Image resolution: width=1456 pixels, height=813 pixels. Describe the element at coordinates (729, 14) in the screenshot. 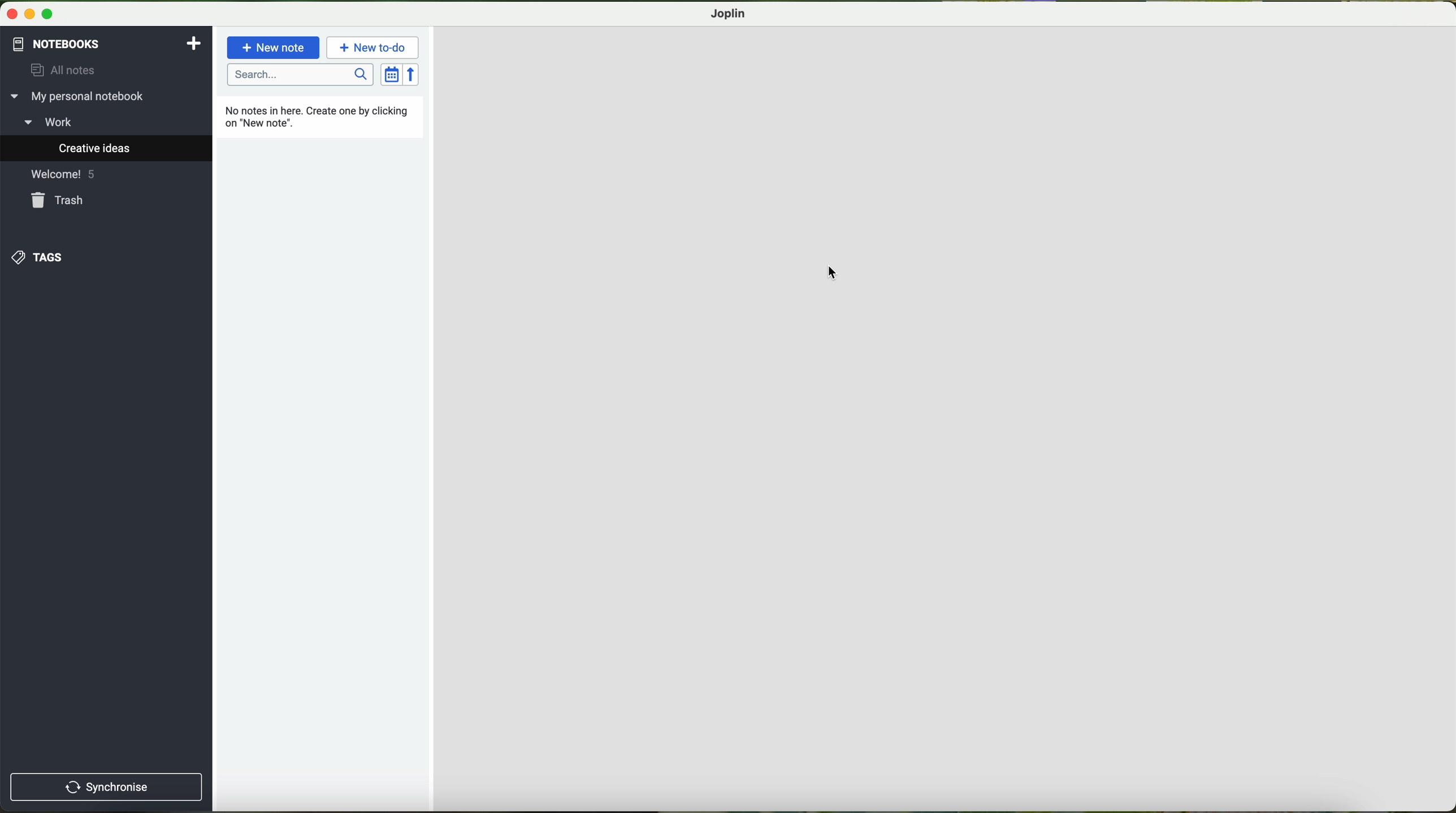

I see `joplin` at that location.